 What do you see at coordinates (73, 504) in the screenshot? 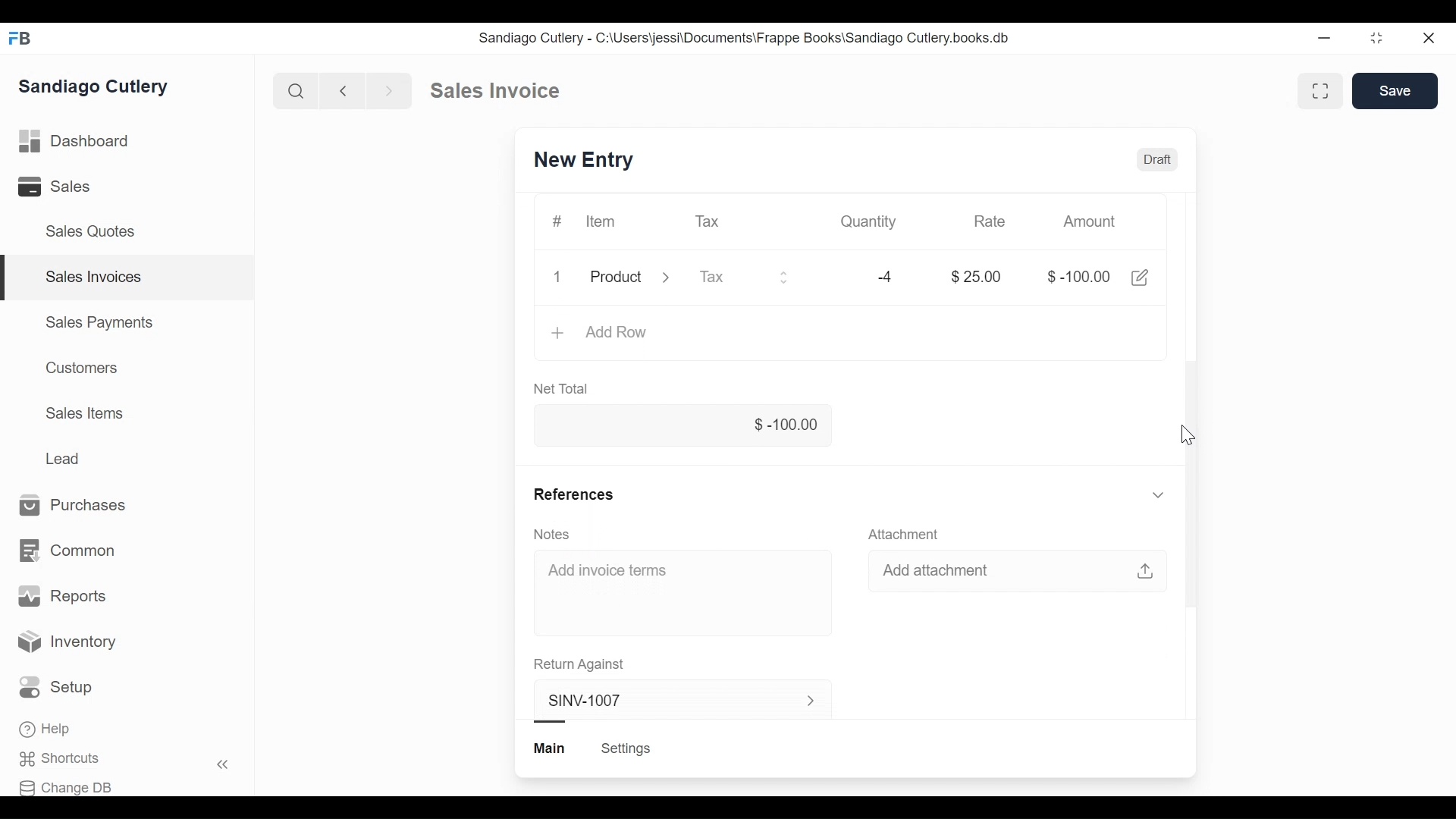
I see `Purchases` at bounding box center [73, 504].